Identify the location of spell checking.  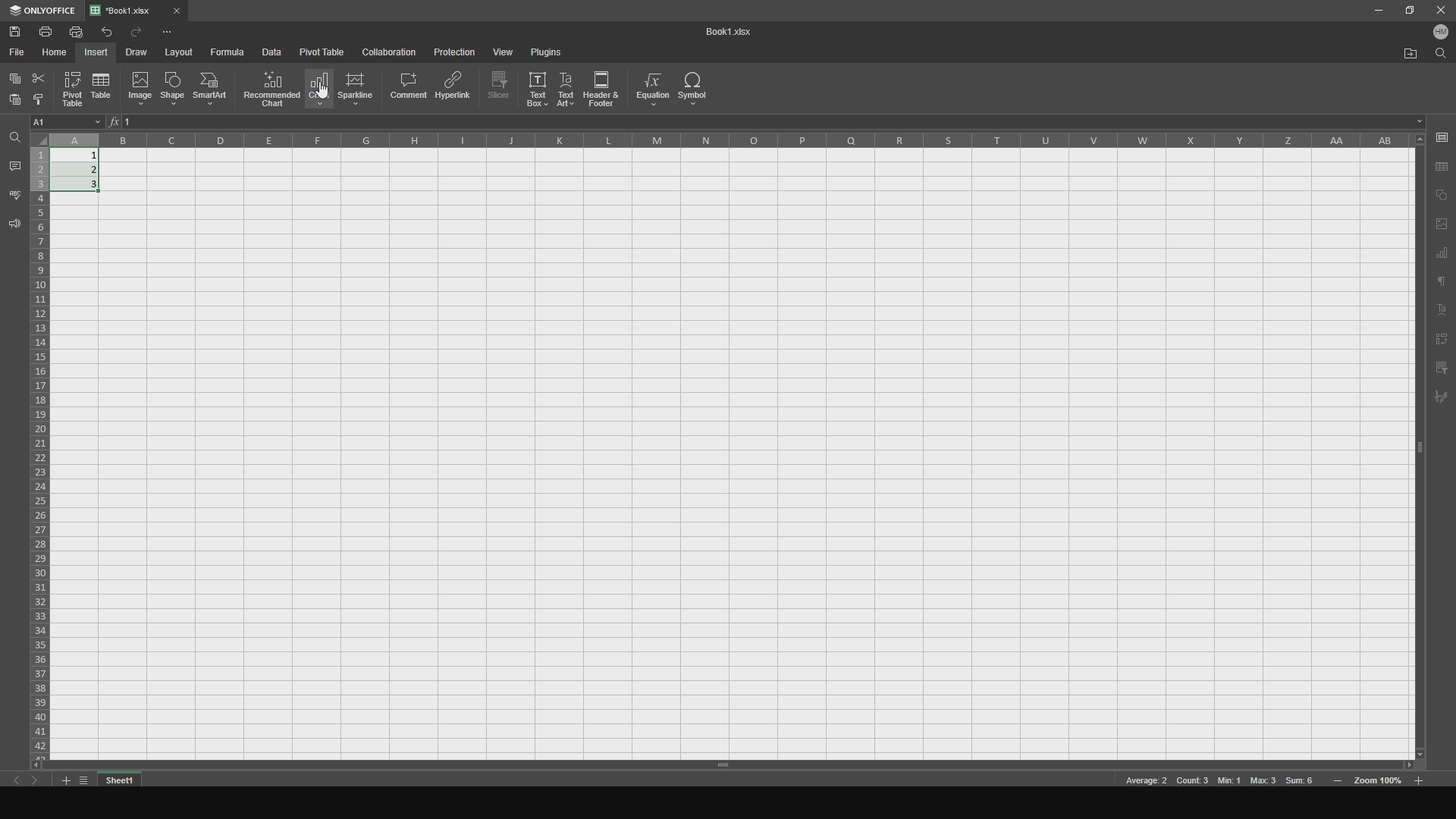
(14, 194).